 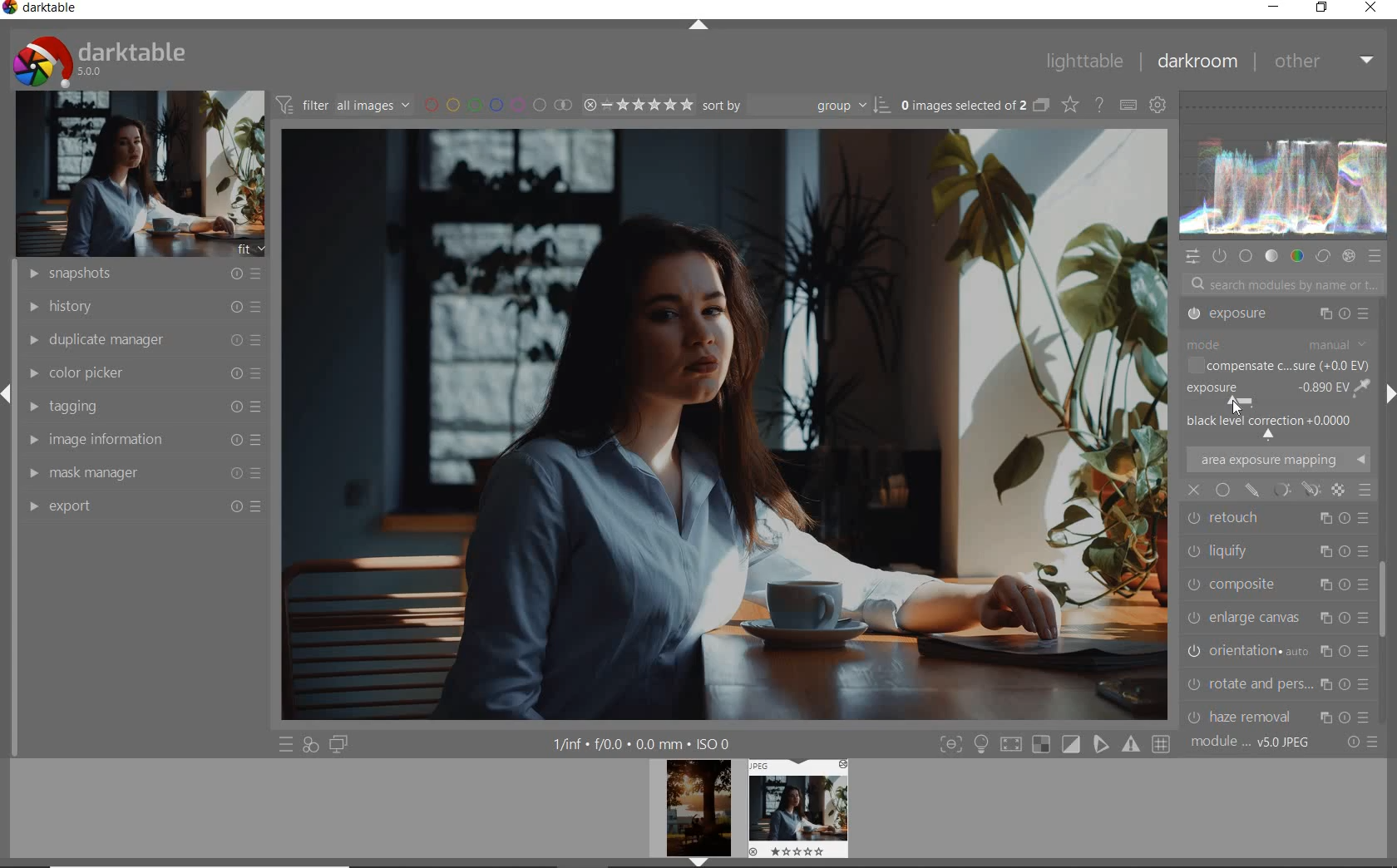 I want to click on EXPORT, so click(x=146, y=506).